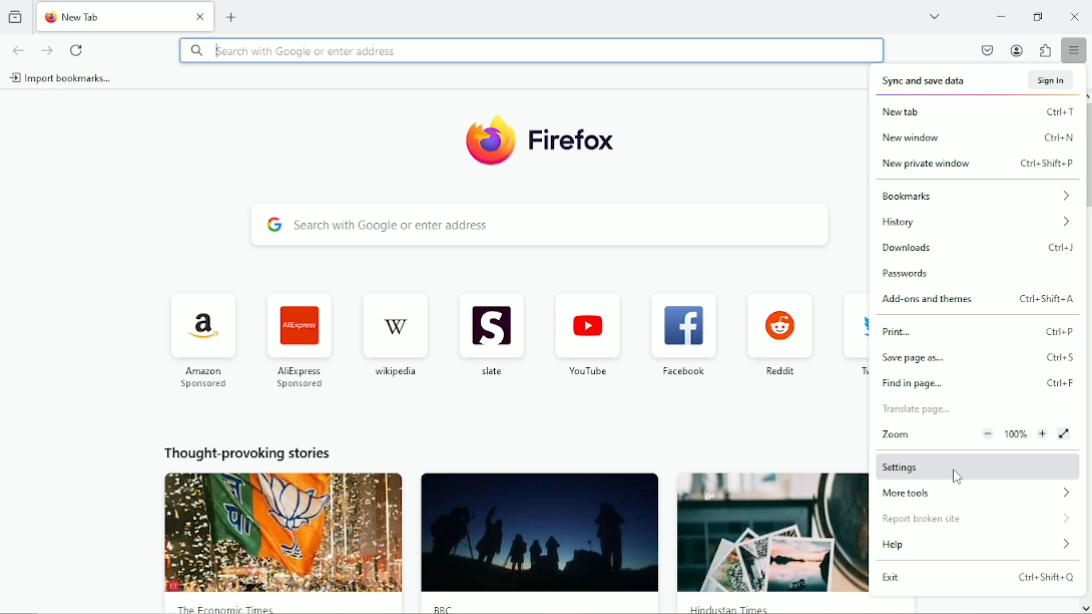 This screenshot has height=614, width=1092. Describe the element at coordinates (978, 577) in the screenshot. I see `Exit  Ctrl+Shift+q` at that location.